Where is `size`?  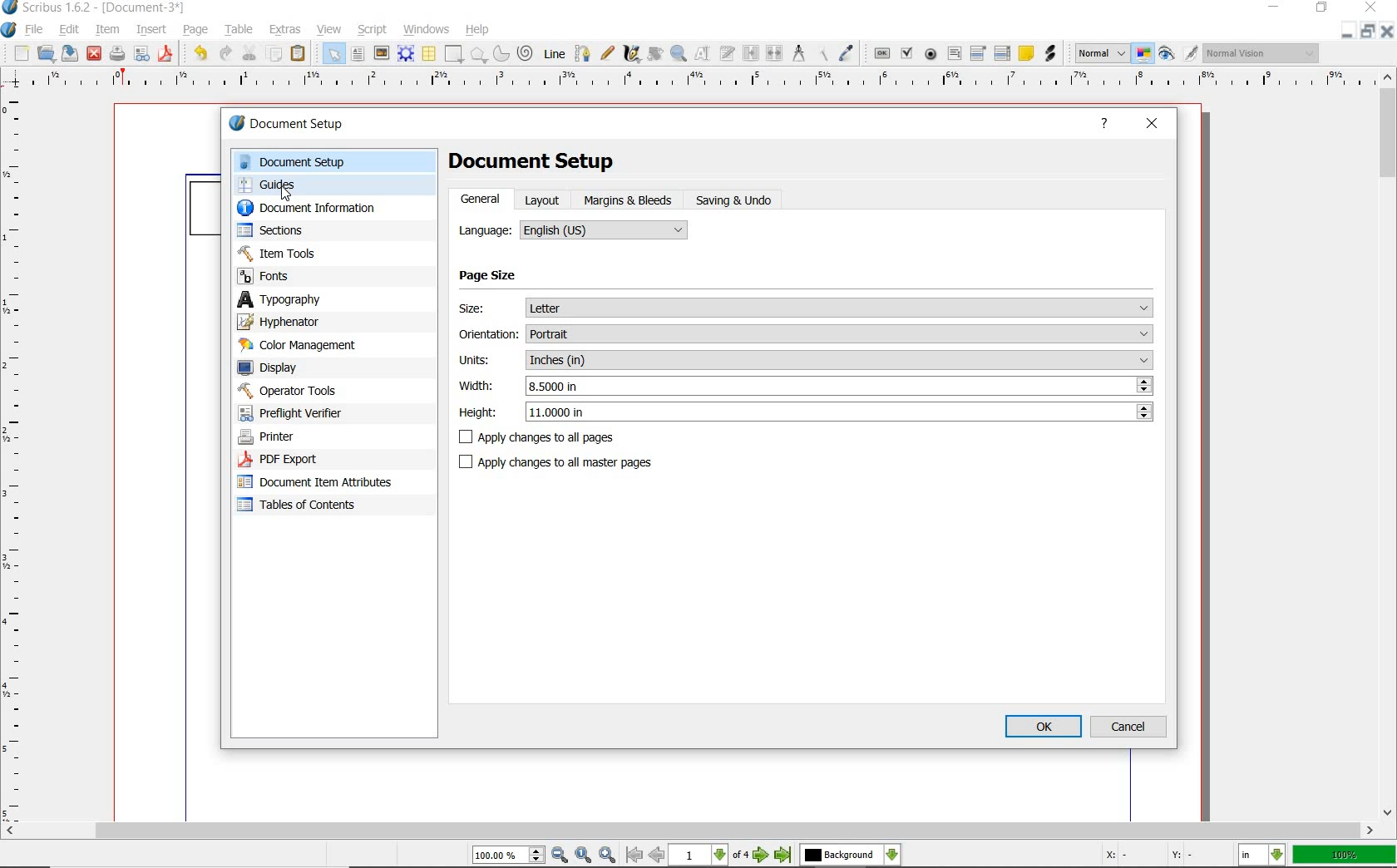 size is located at coordinates (842, 308).